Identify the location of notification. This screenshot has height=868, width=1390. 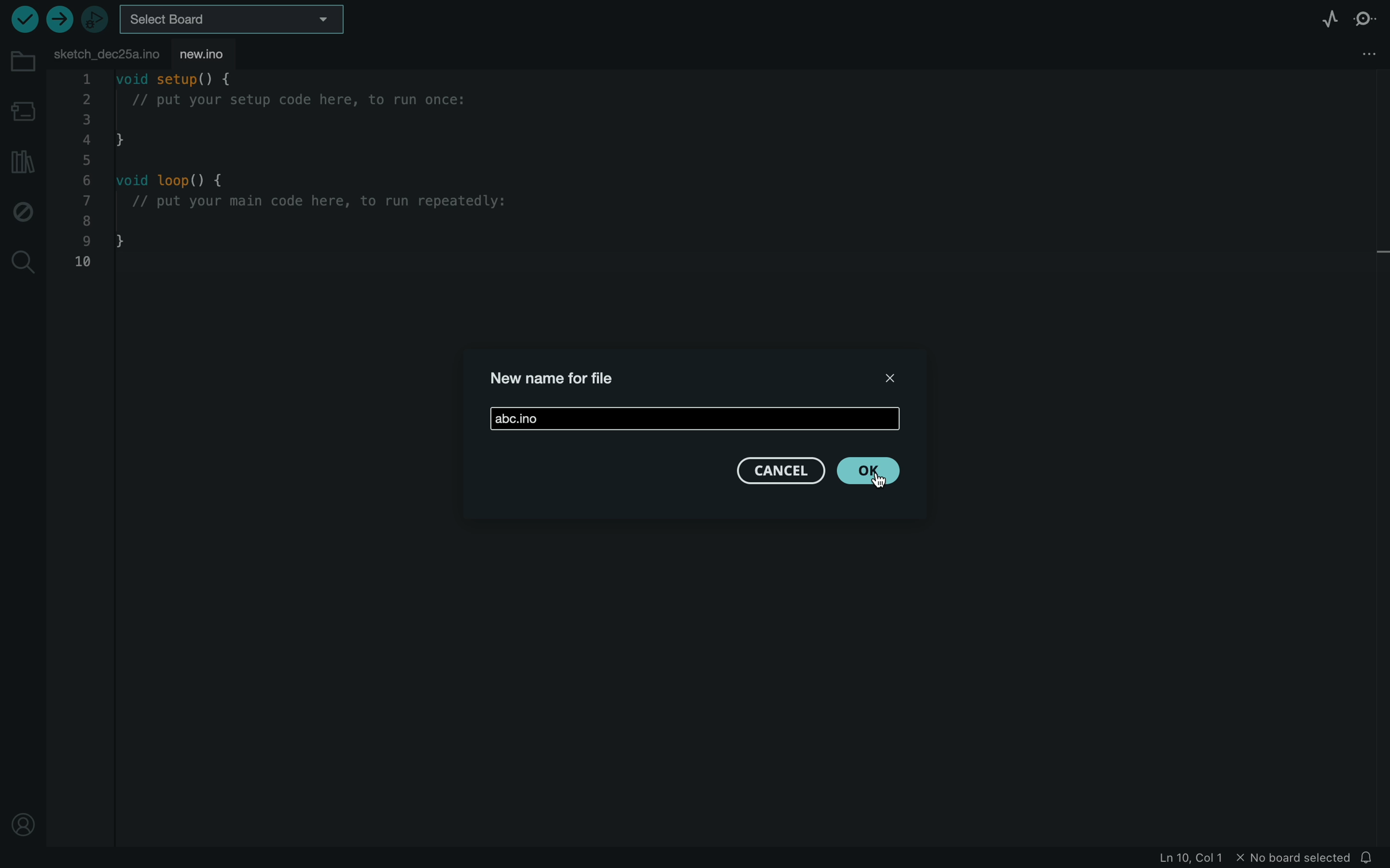
(1371, 858).